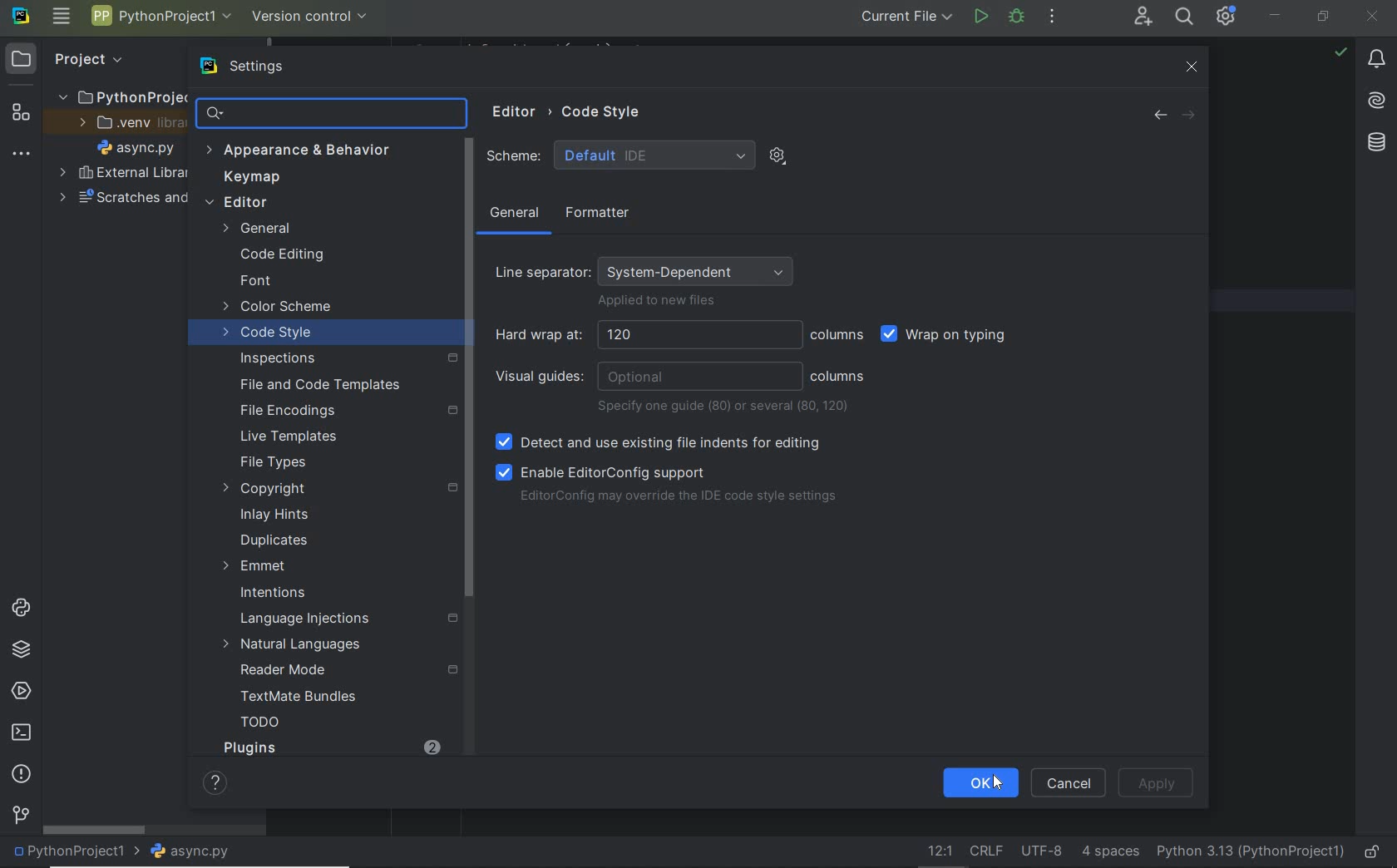 The image size is (1397, 868). What do you see at coordinates (310, 17) in the screenshot?
I see `version control` at bounding box center [310, 17].